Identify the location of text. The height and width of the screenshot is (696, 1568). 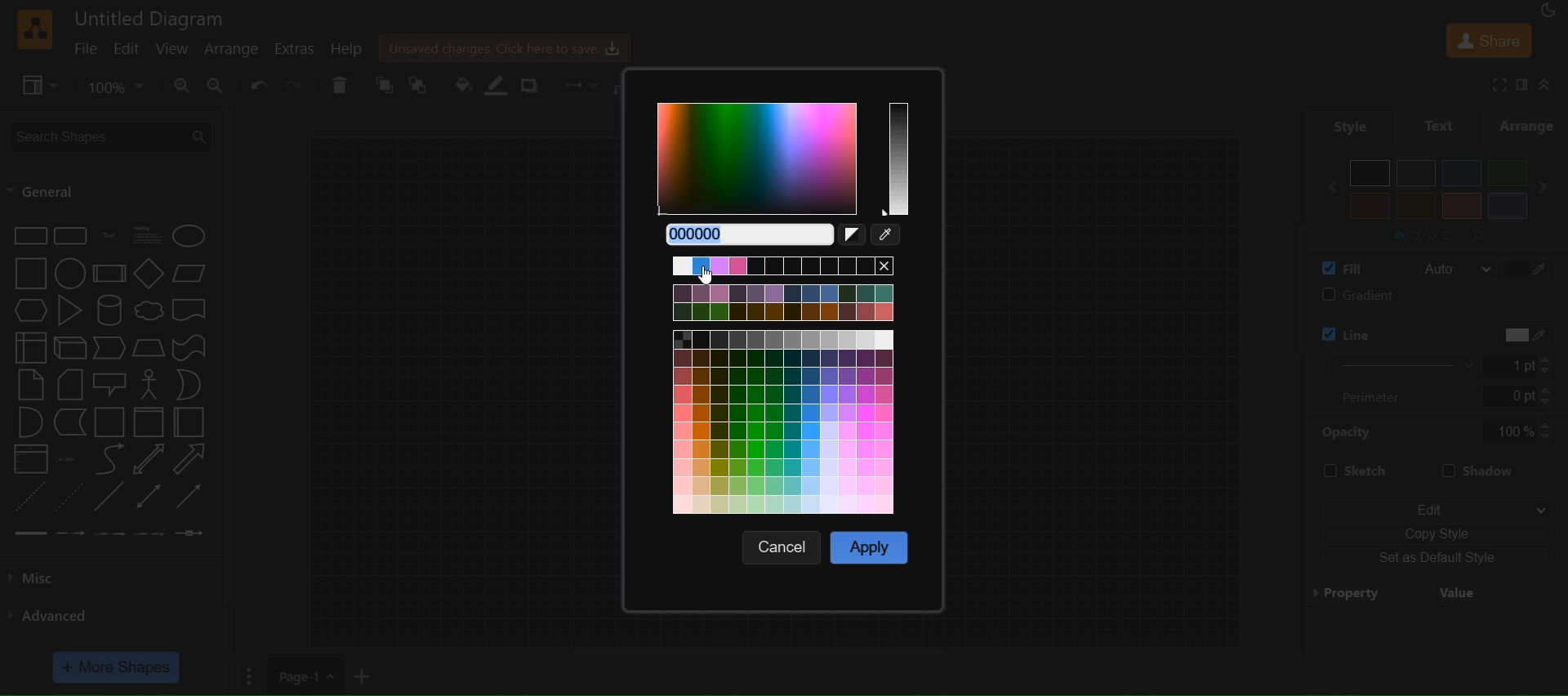
(111, 236).